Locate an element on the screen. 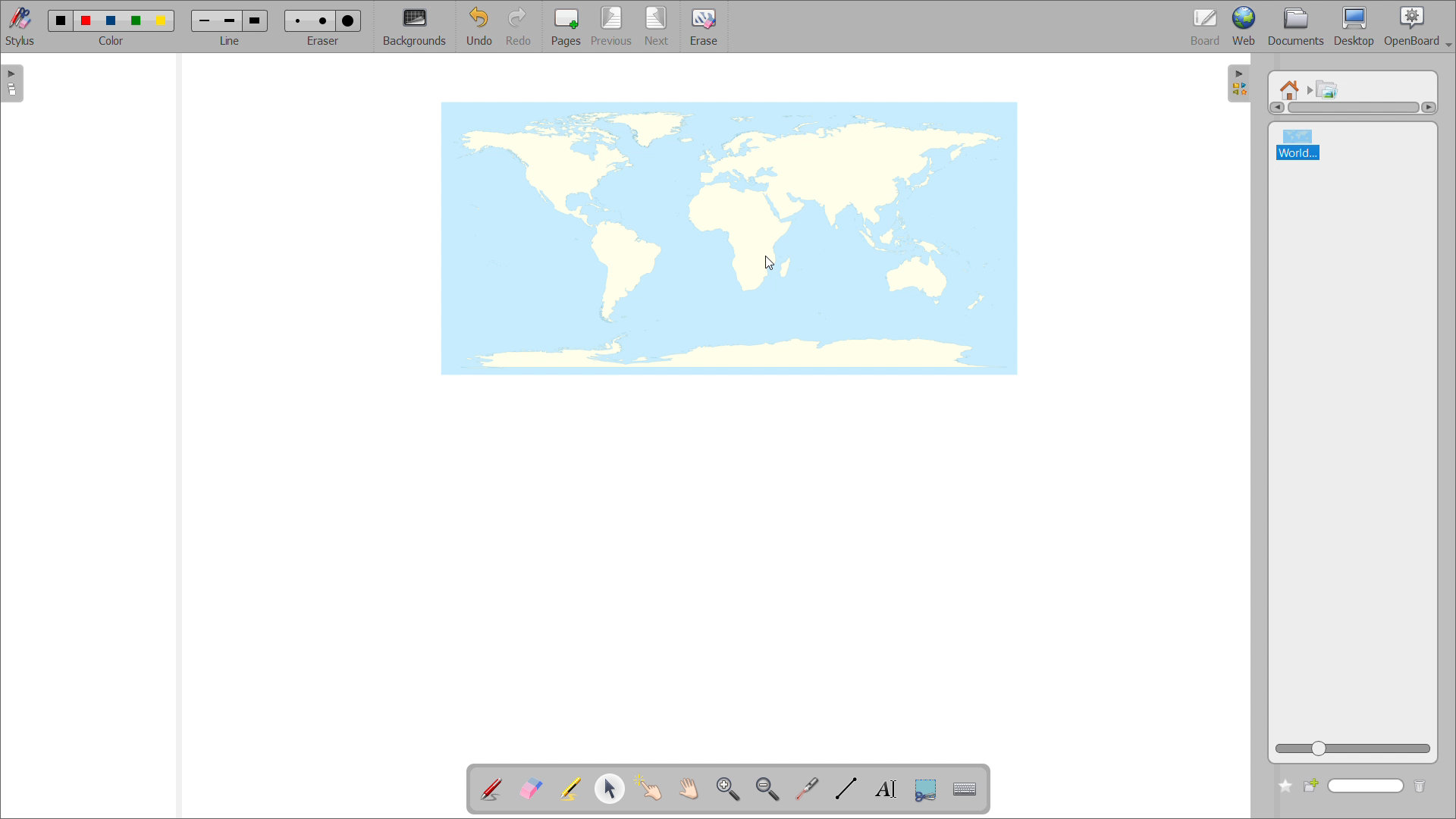  previous page is located at coordinates (612, 25).